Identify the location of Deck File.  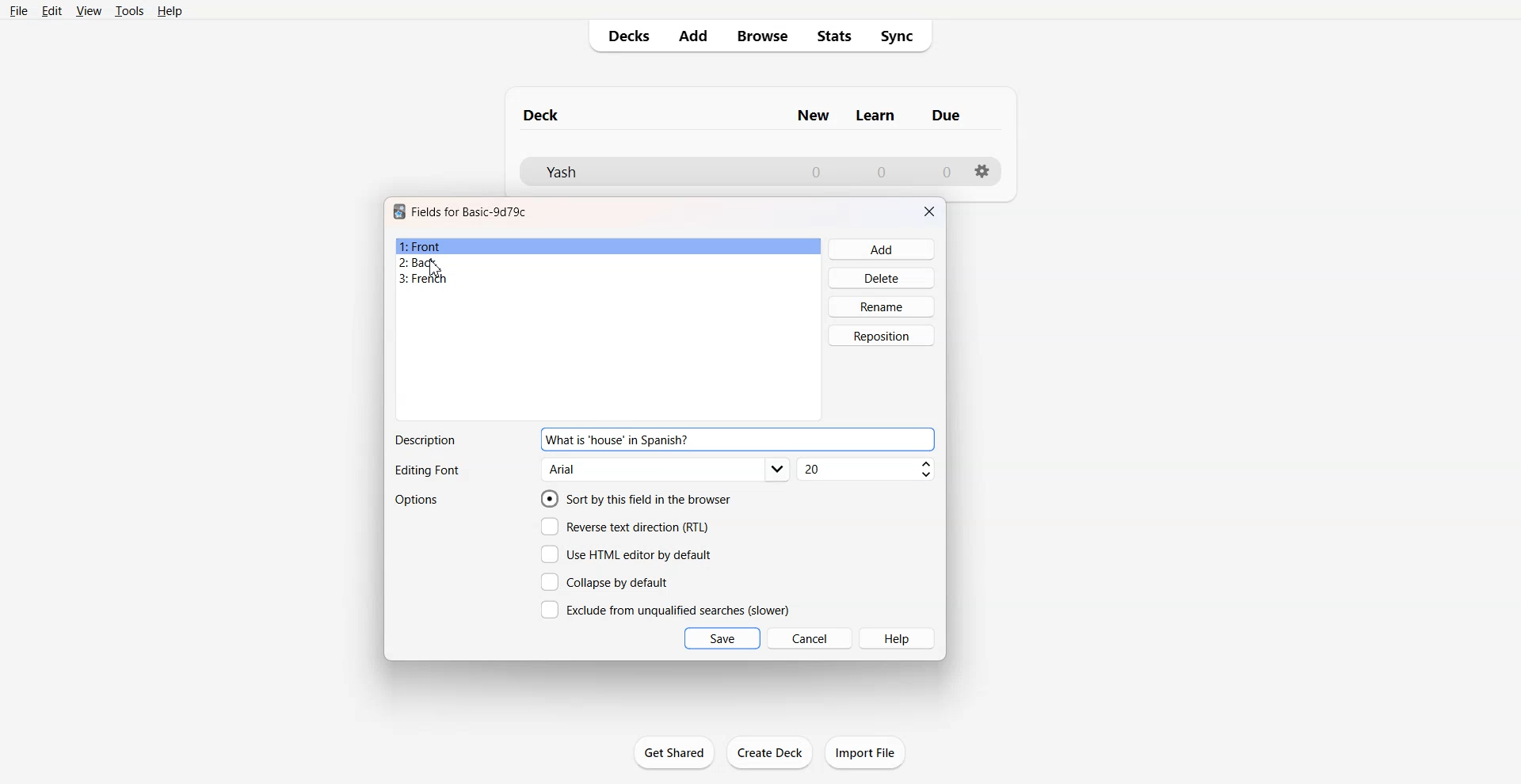
(650, 172).